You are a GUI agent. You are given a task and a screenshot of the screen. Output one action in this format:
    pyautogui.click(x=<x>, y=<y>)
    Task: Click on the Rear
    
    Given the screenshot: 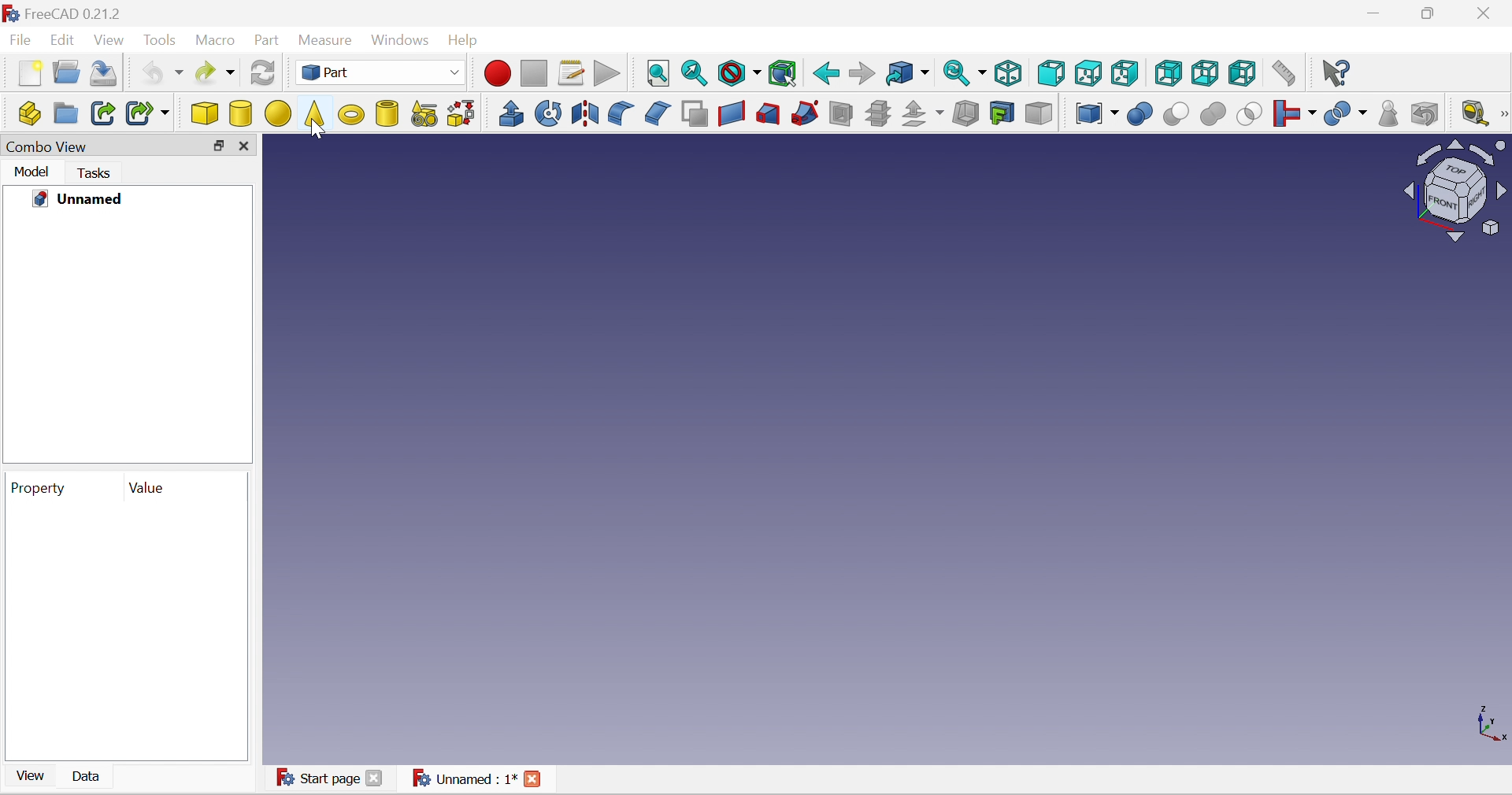 What is the action you would take?
    pyautogui.click(x=1169, y=73)
    